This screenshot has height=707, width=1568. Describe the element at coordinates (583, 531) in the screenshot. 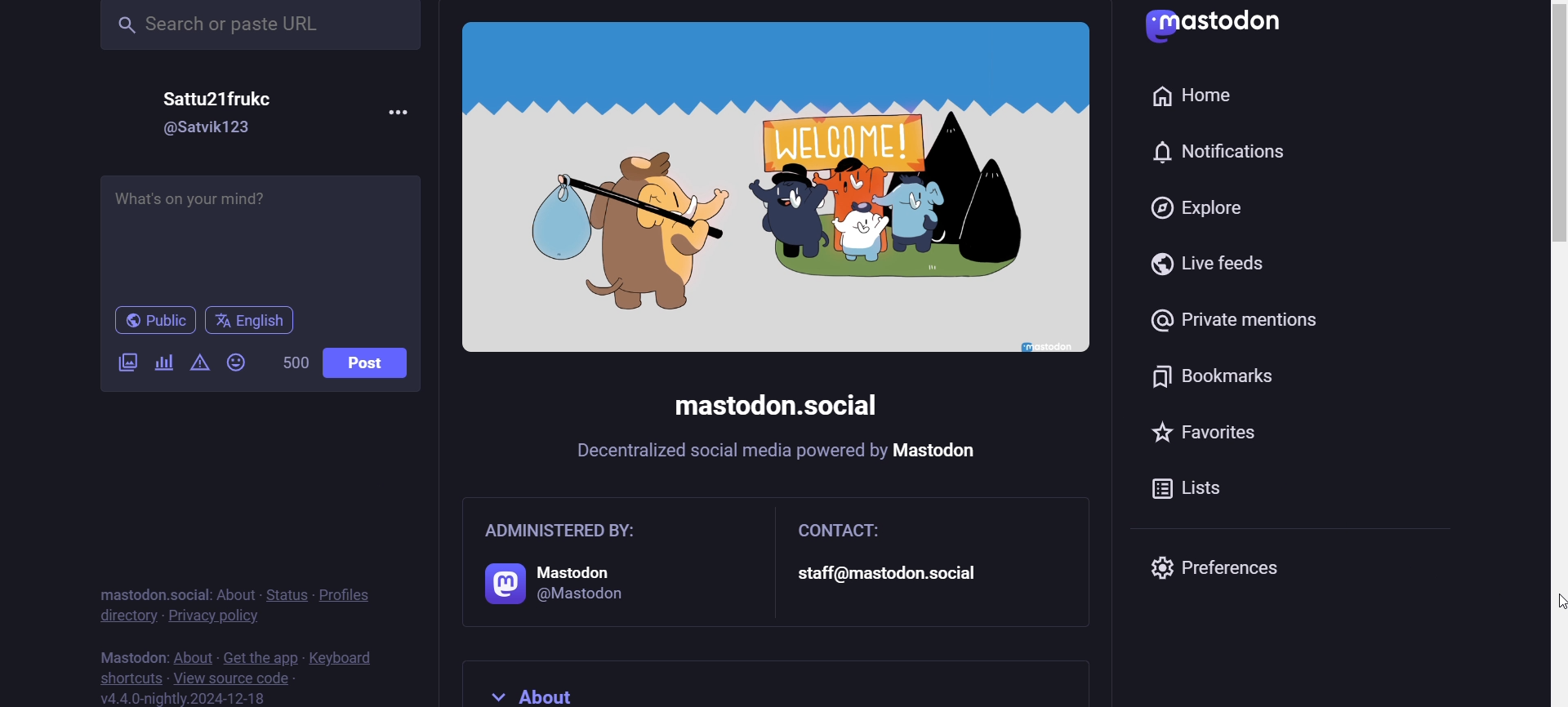

I see `administered by` at that location.